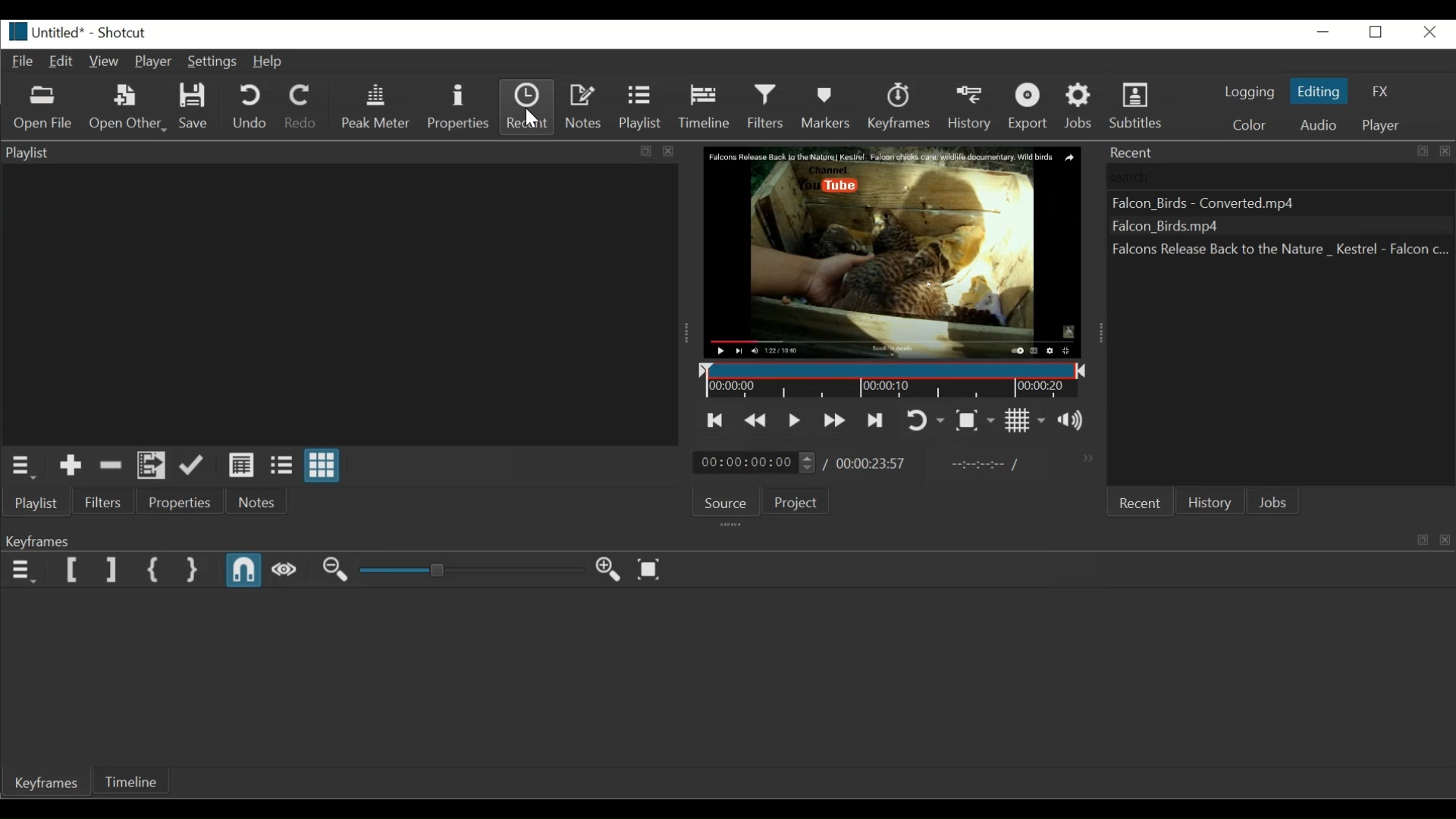  What do you see at coordinates (339, 306) in the screenshot?
I see `Clip Thumbnail Panel` at bounding box center [339, 306].